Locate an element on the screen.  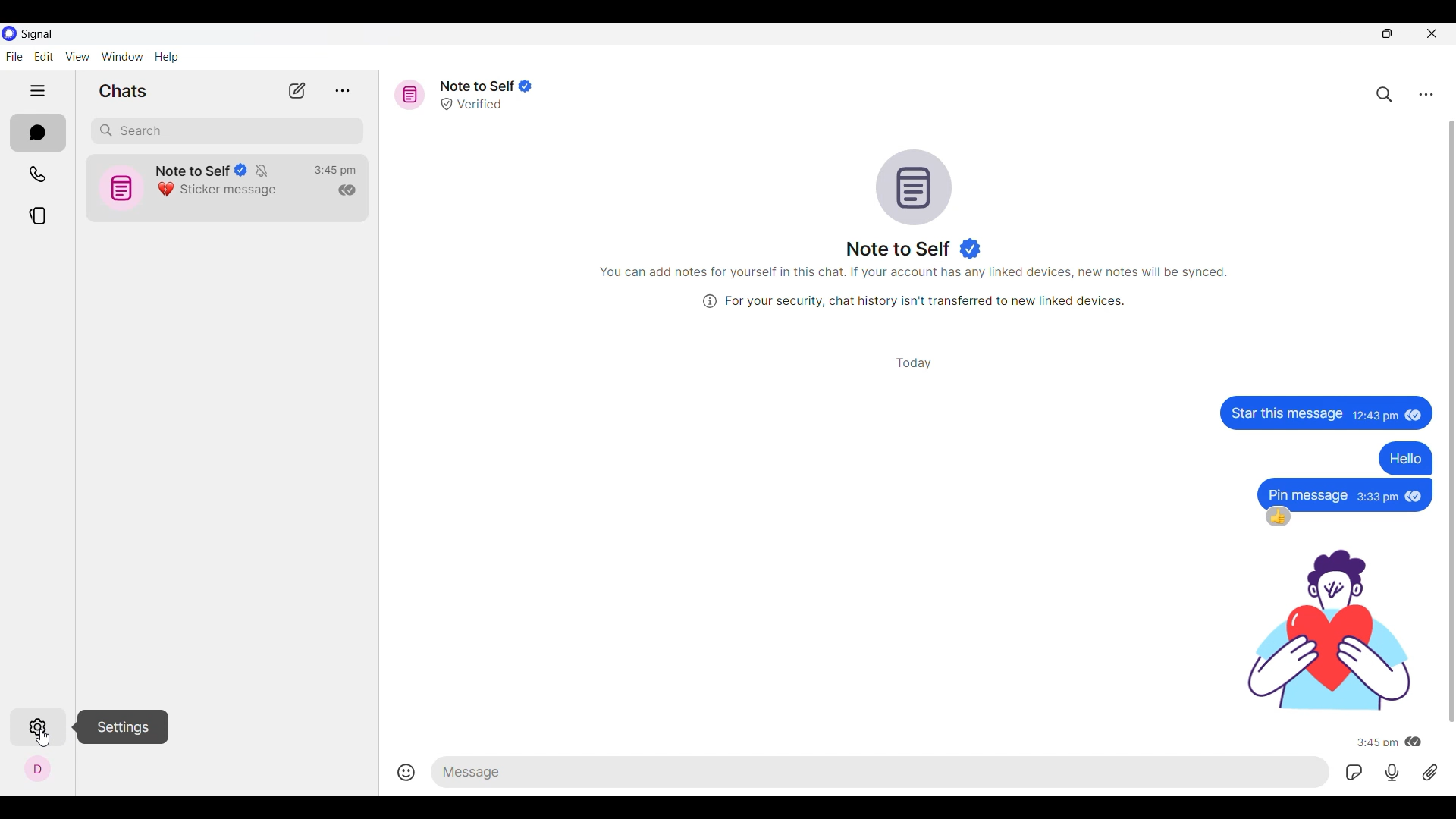
Search chats is located at coordinates (1385, 95).